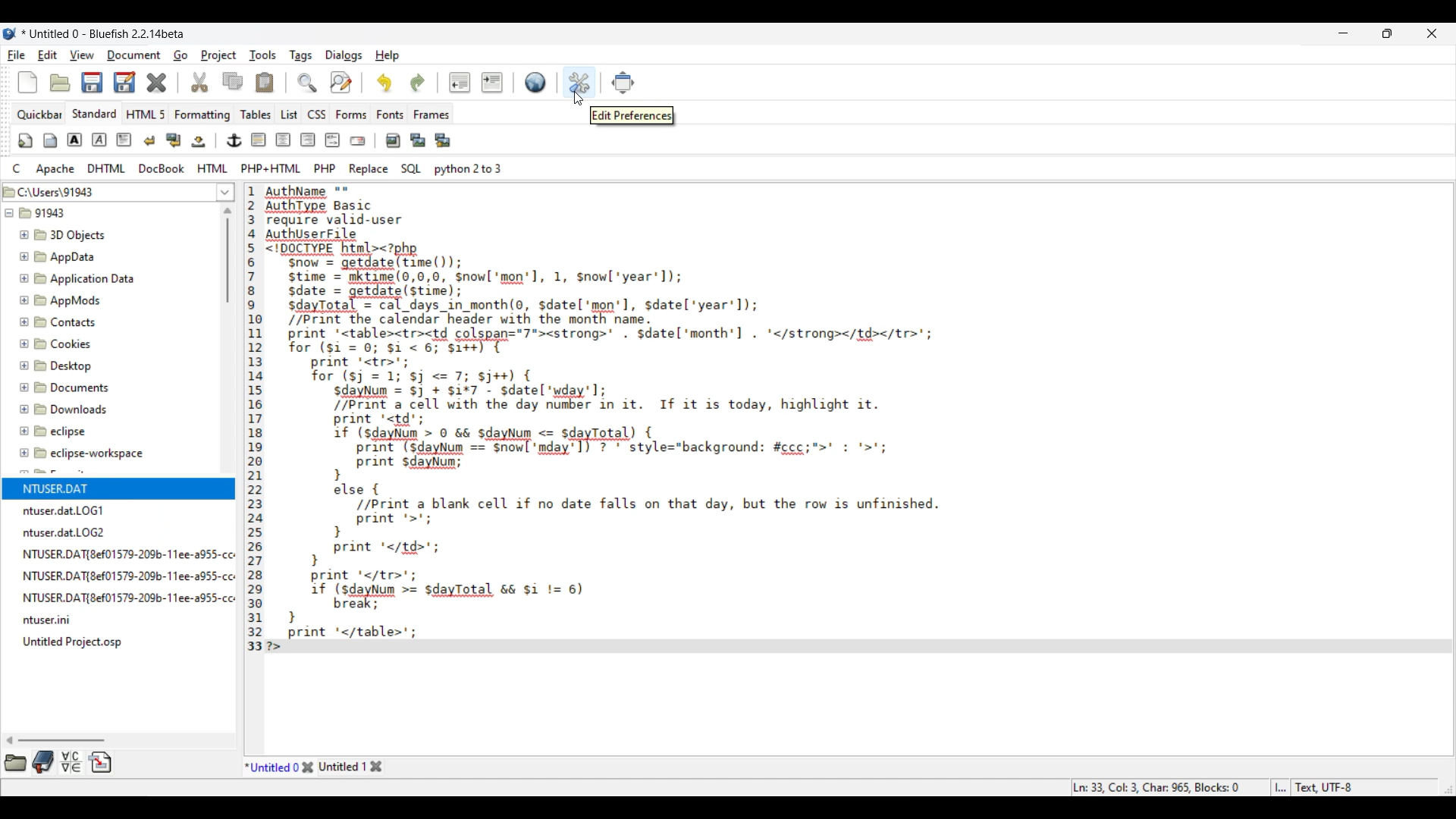 Image resolution: width=1456 pixels, height=819 pixels. I want to click on Edit menu, so click(48, 55).